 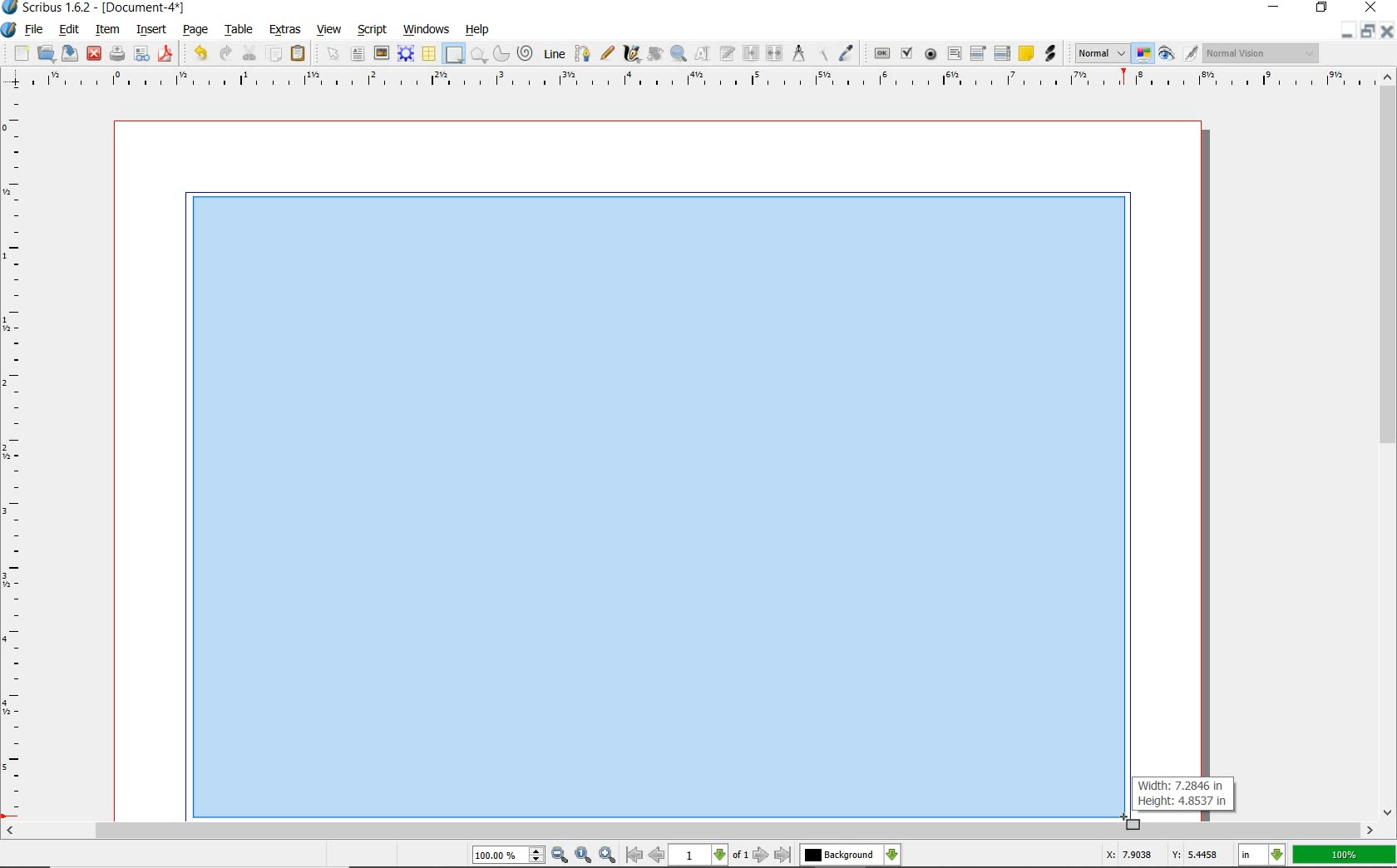 I want to click on shape, so click(x=454, y=55).